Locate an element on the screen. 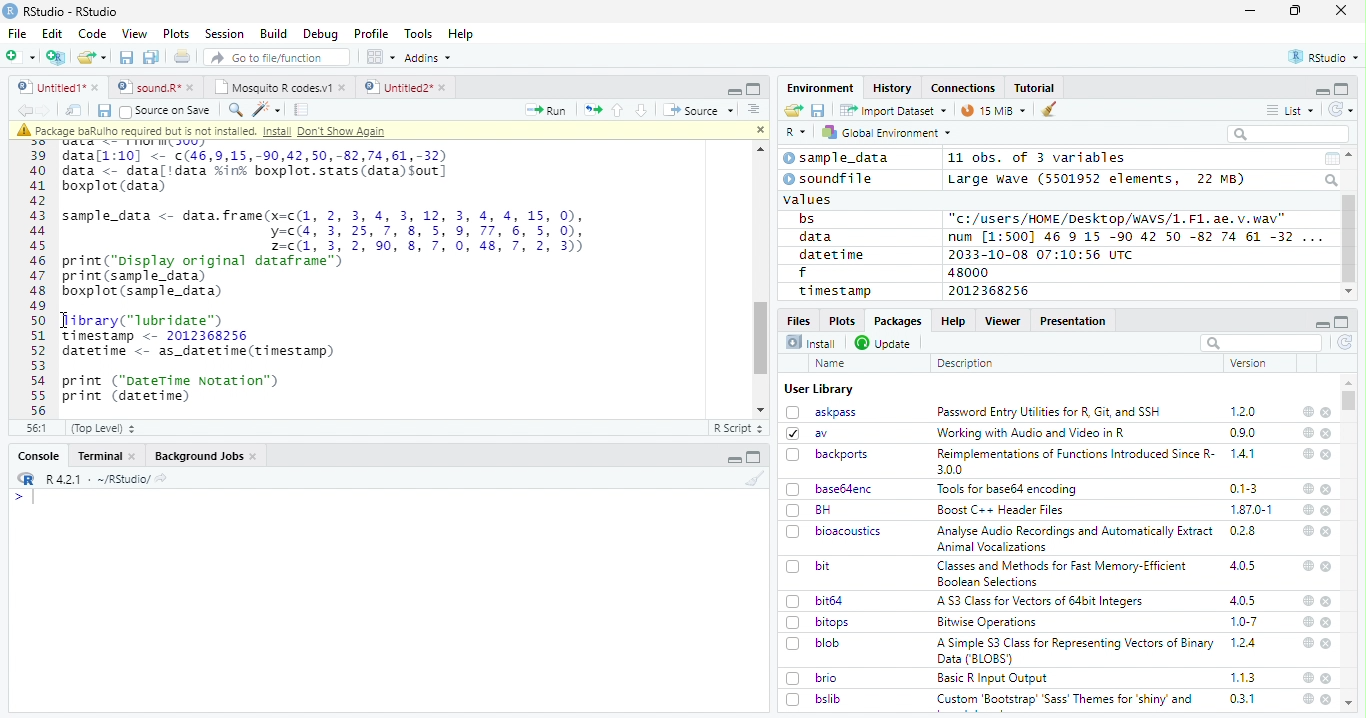 The width and height of the screenshot is (1366, 718). Refresh is located at coordinates (1342, 109).